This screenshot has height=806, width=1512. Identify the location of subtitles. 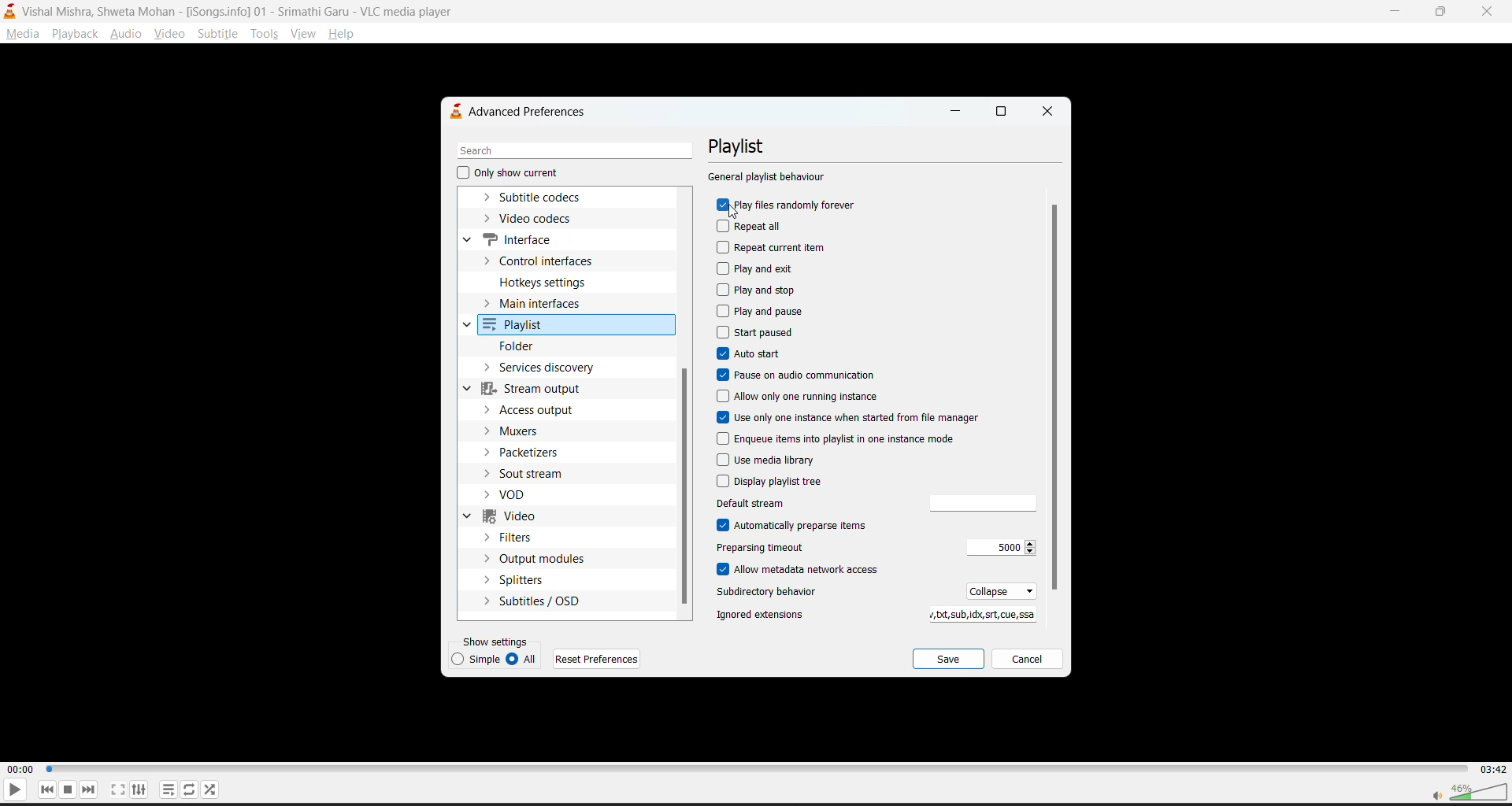
(543, 602).